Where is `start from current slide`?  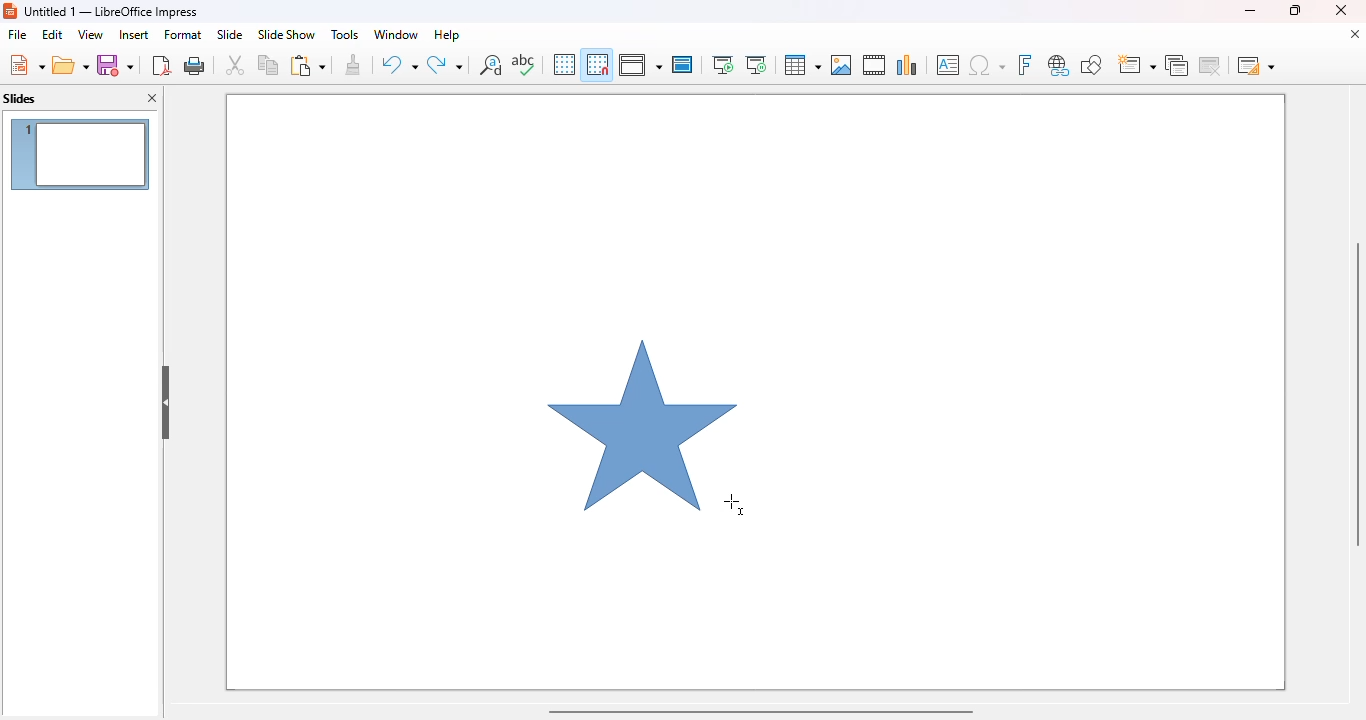
start from current slide is located at coordinates (756, 65).